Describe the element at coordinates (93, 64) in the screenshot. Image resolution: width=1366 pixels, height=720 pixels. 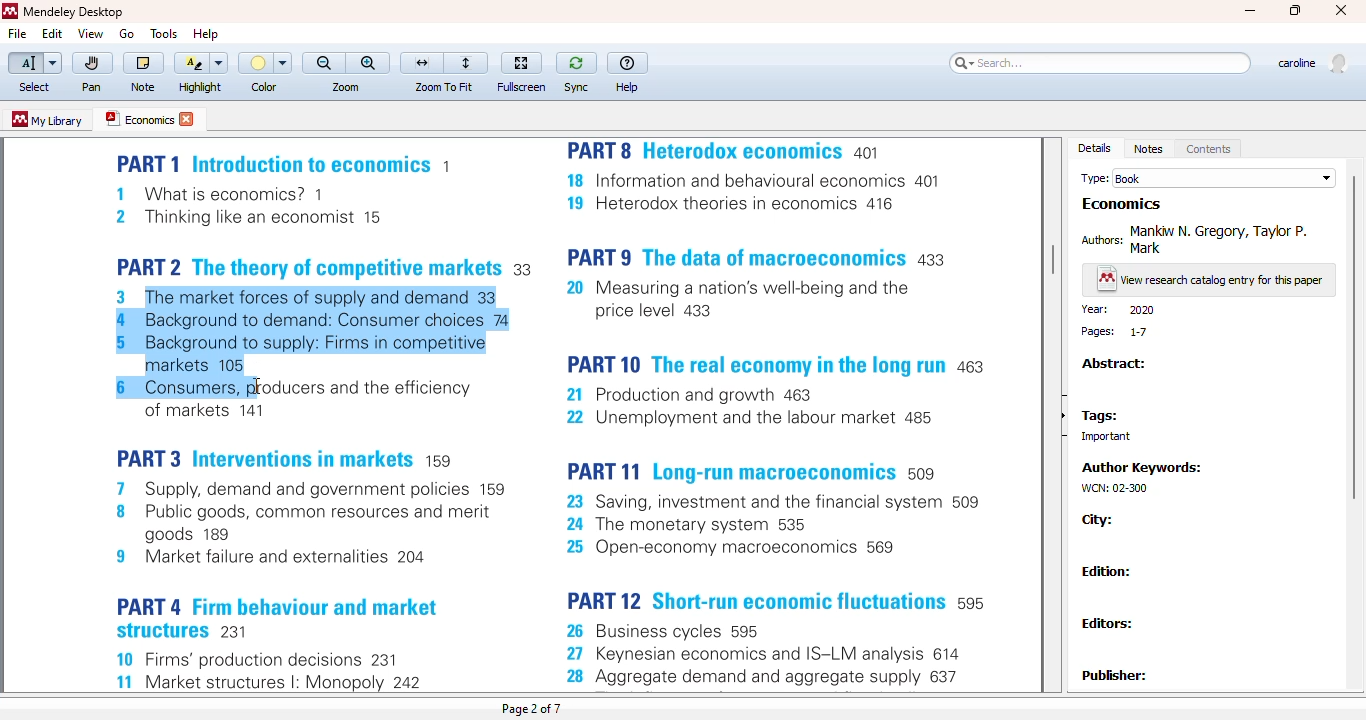
I see `pan` at that location.